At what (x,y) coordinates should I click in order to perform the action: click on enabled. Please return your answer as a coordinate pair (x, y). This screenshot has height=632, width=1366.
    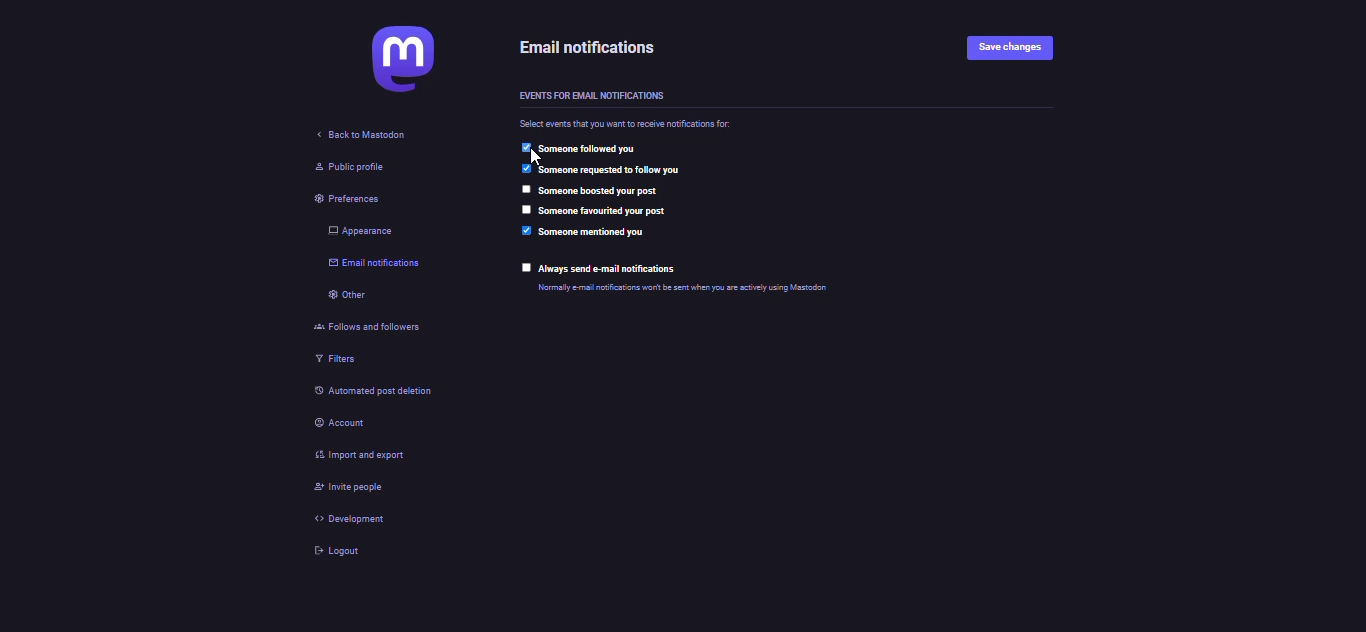
    Looking at the image, I should click on (525, 148).